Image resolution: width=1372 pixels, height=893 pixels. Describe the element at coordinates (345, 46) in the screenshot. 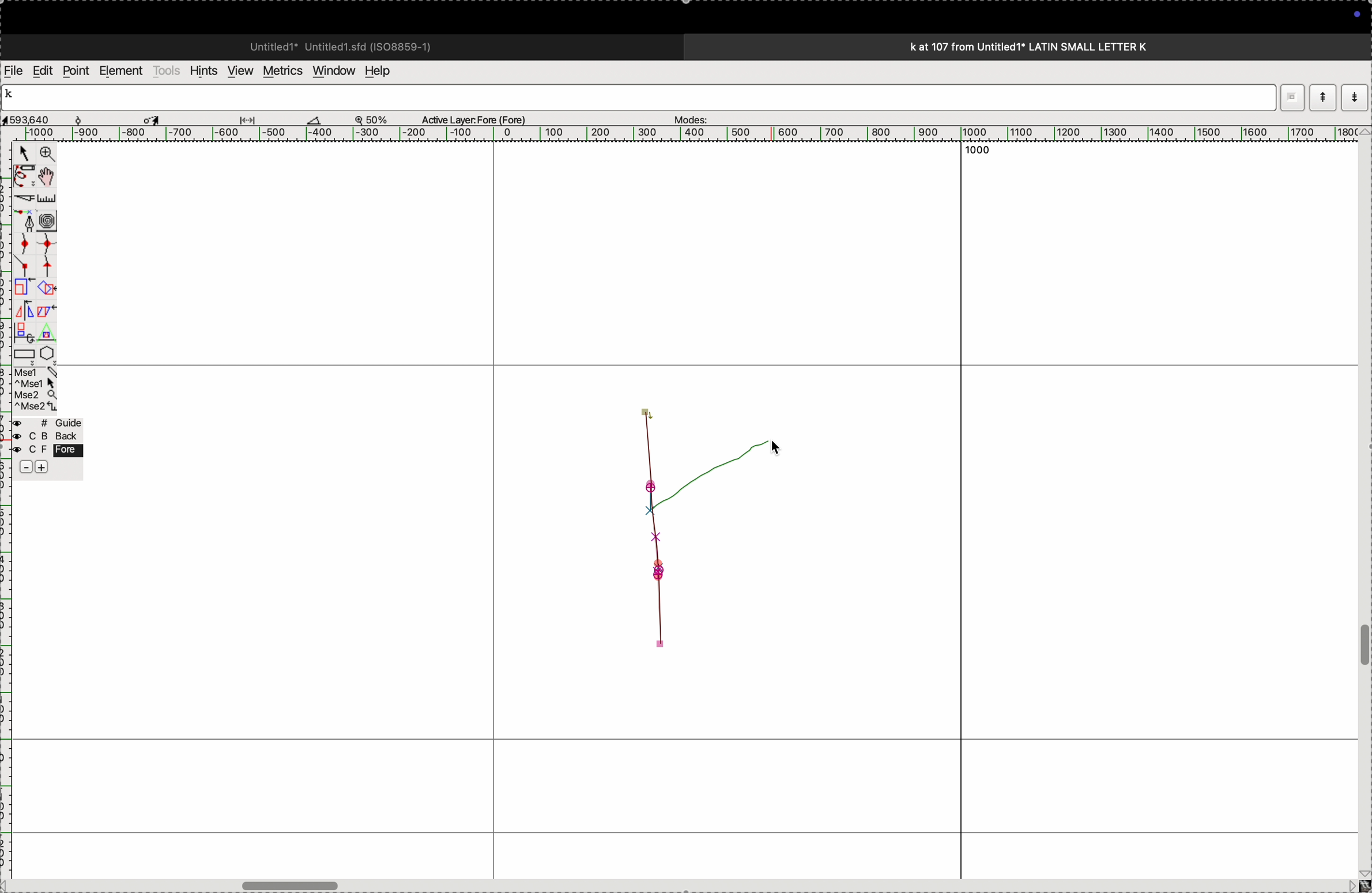

I see `untitled std` at that location.